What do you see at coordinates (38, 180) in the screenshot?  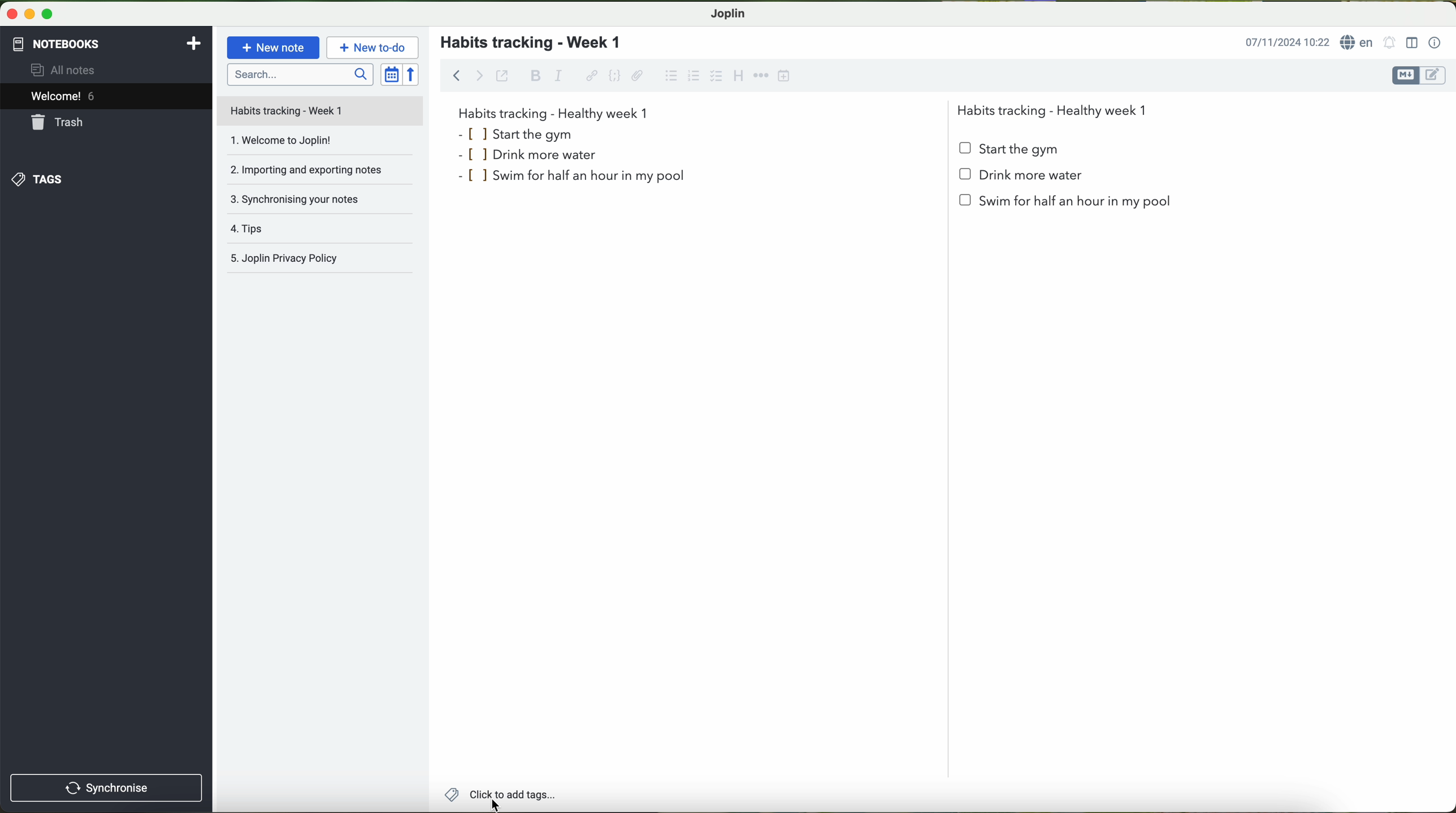 I see `tags` at bounding box center [38, 180].